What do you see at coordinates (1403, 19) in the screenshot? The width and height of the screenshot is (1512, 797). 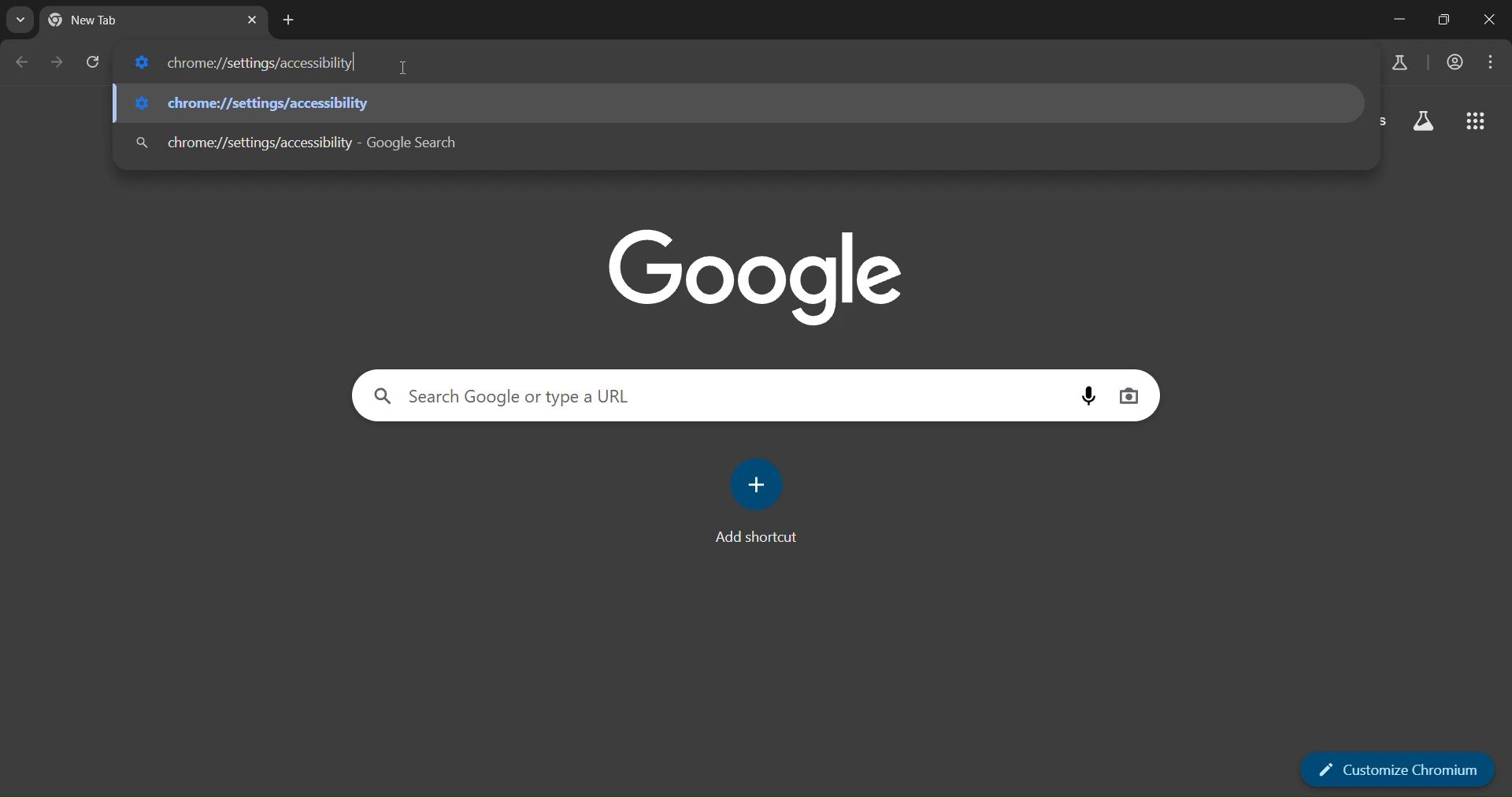 I see `minimize` at bounding box center [1403, 19].